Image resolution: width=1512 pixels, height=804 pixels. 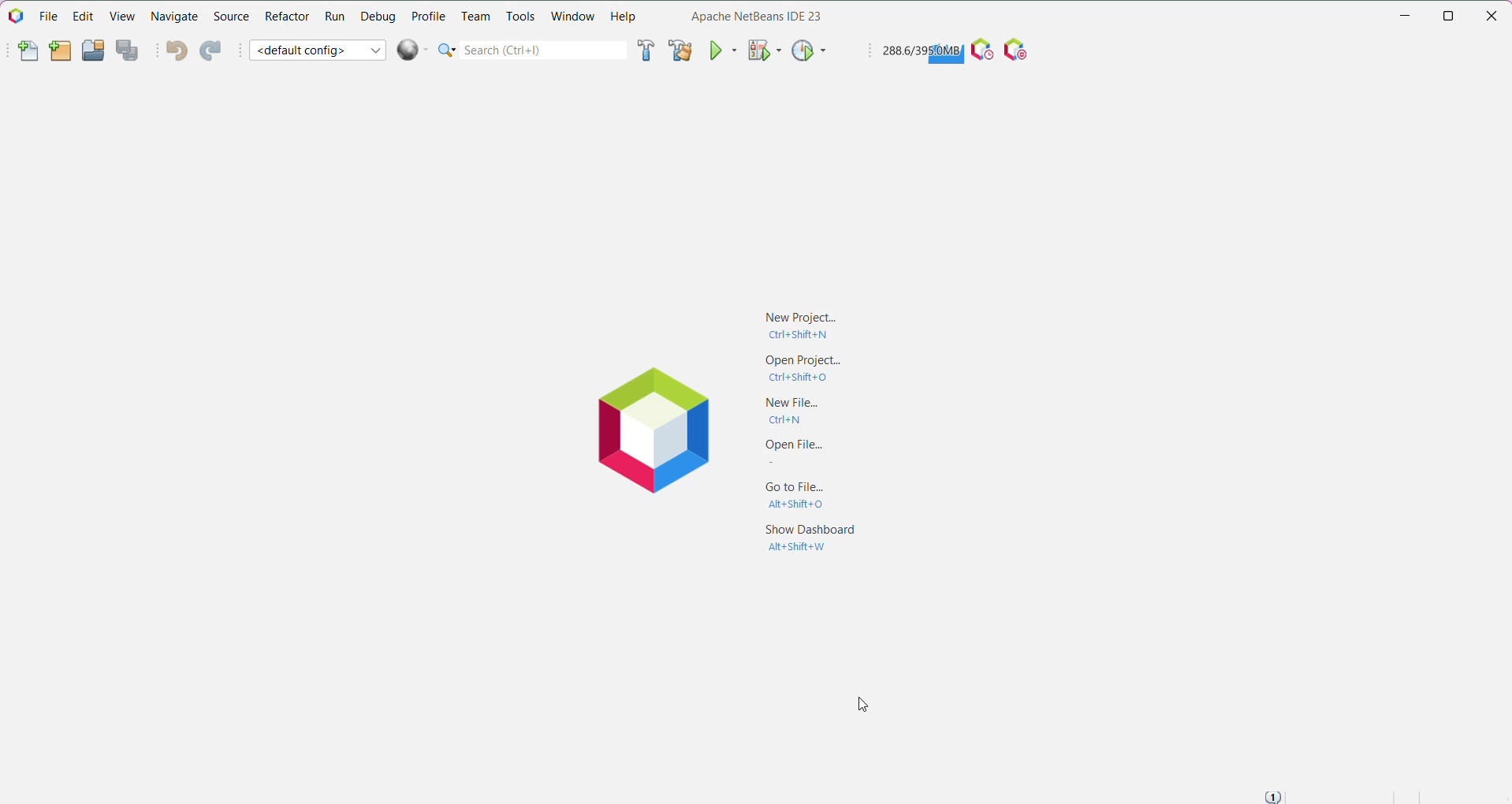 What do you see at coordinates (318, 49) in the screenshot?
I see `Set Project Configuration` at bounding box center [318, 49].